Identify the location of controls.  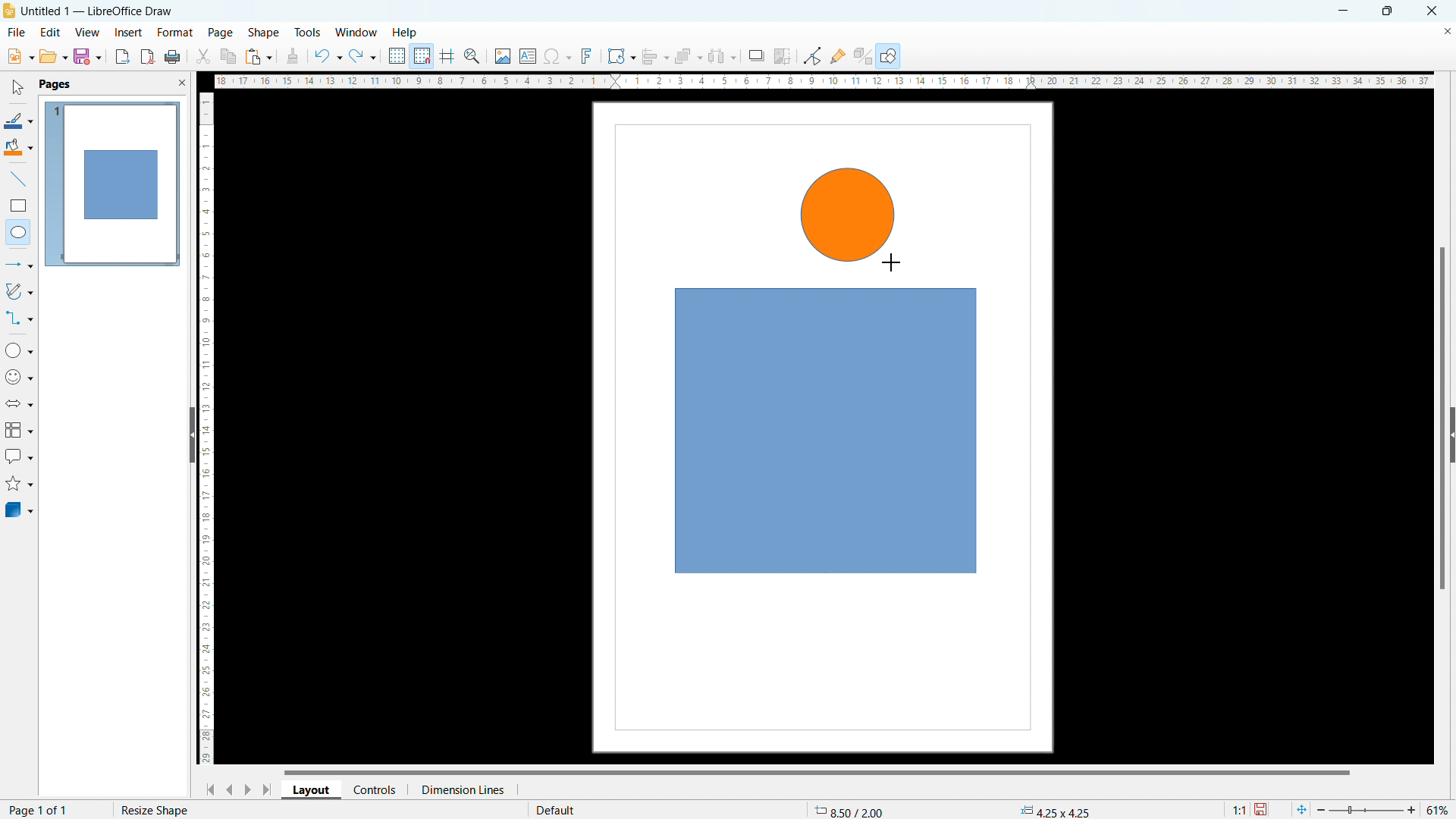
(376, 789).